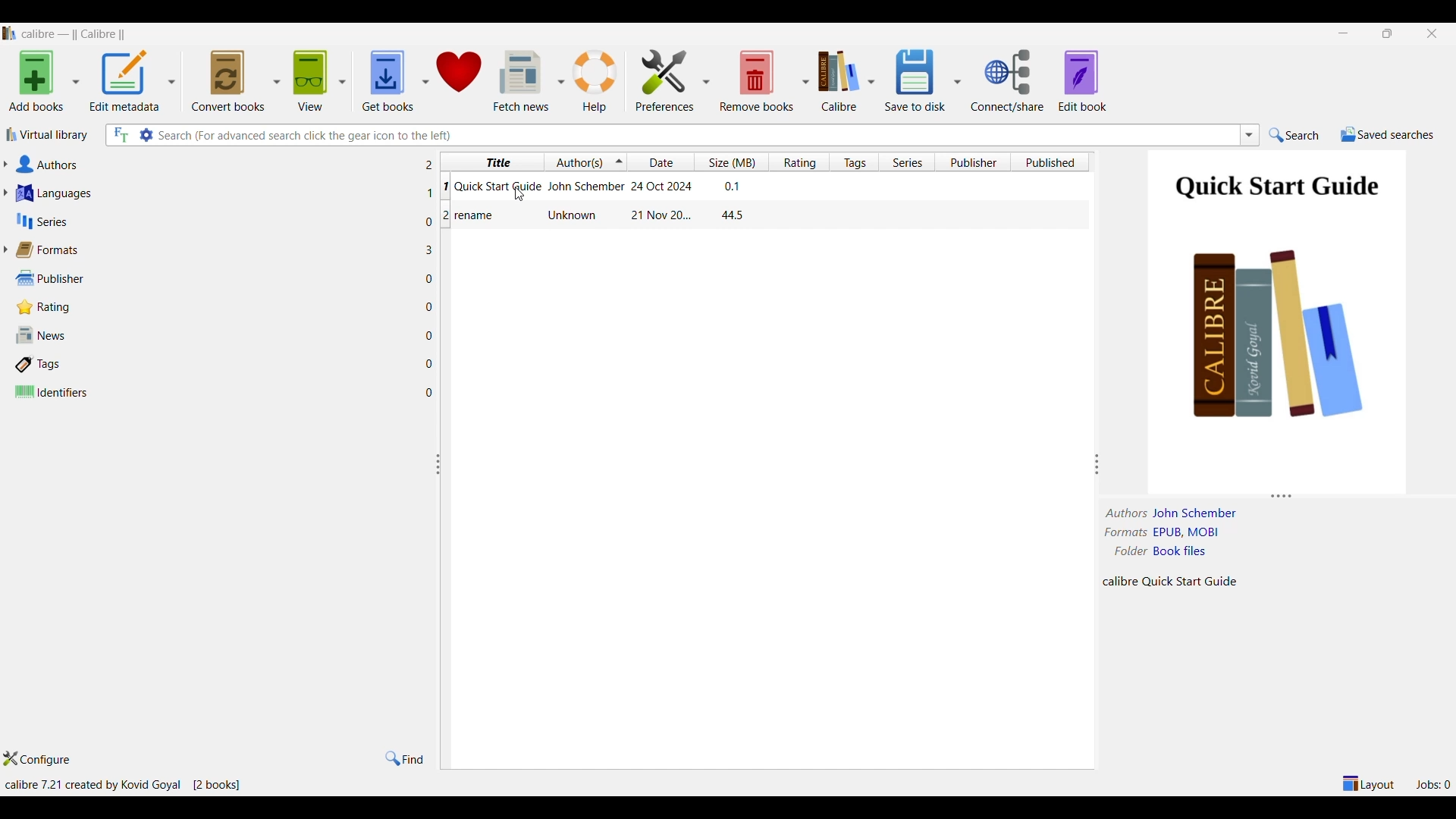 The image size is (1456, 819). Describe the element at coordinates (385, 81) in the screenshot. I see `Get books` at that location.